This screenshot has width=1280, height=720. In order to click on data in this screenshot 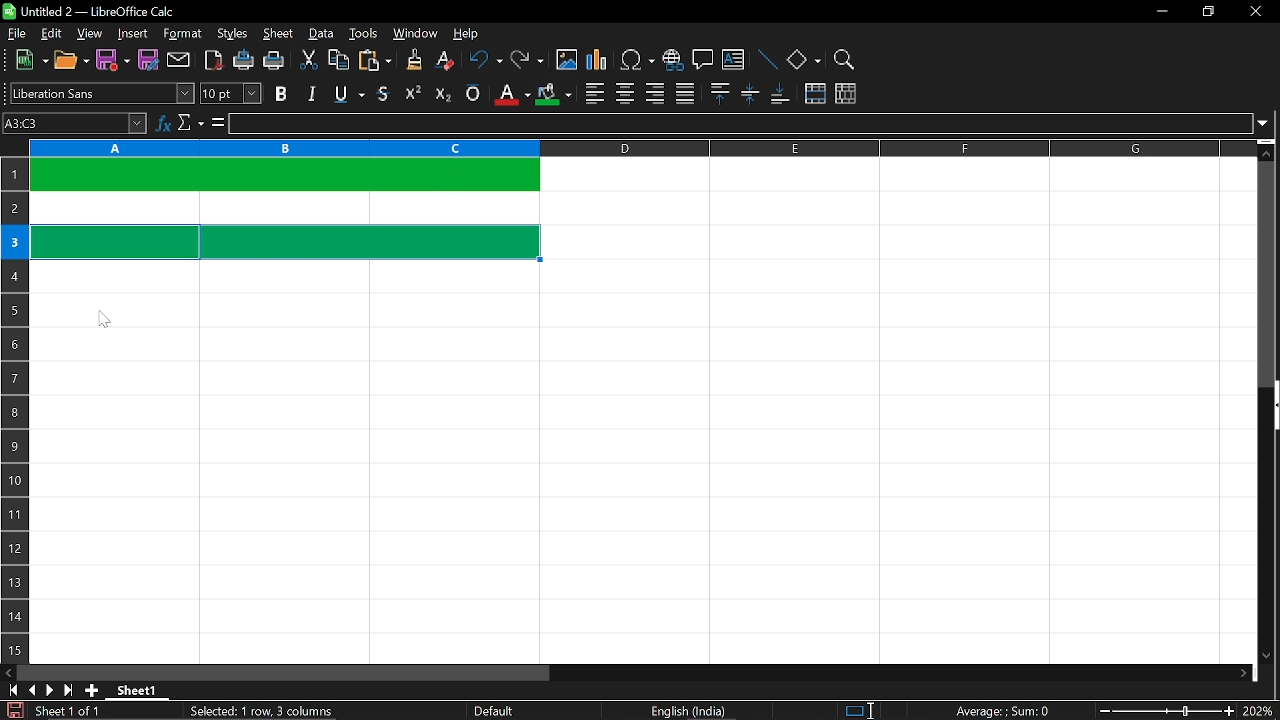, I will do `click(322, 35)`.